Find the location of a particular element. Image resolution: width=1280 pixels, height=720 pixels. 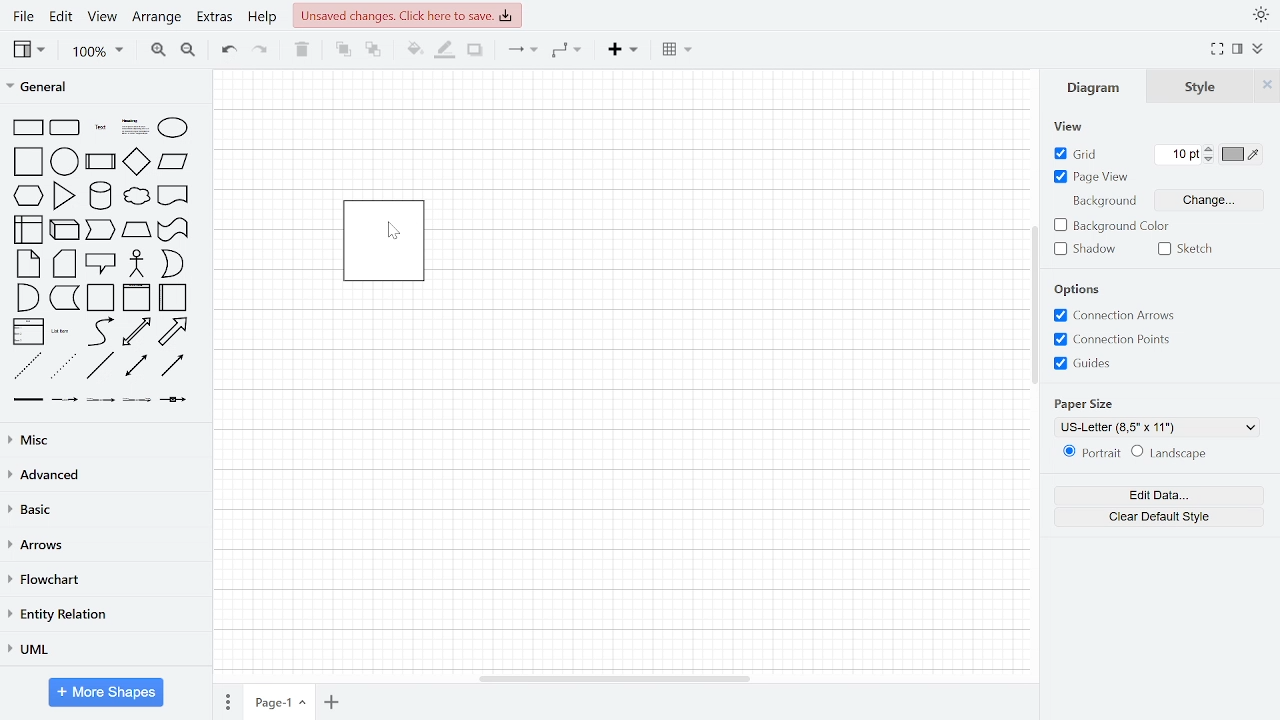

decrease grid pt is located at coordinates (1210, 159).